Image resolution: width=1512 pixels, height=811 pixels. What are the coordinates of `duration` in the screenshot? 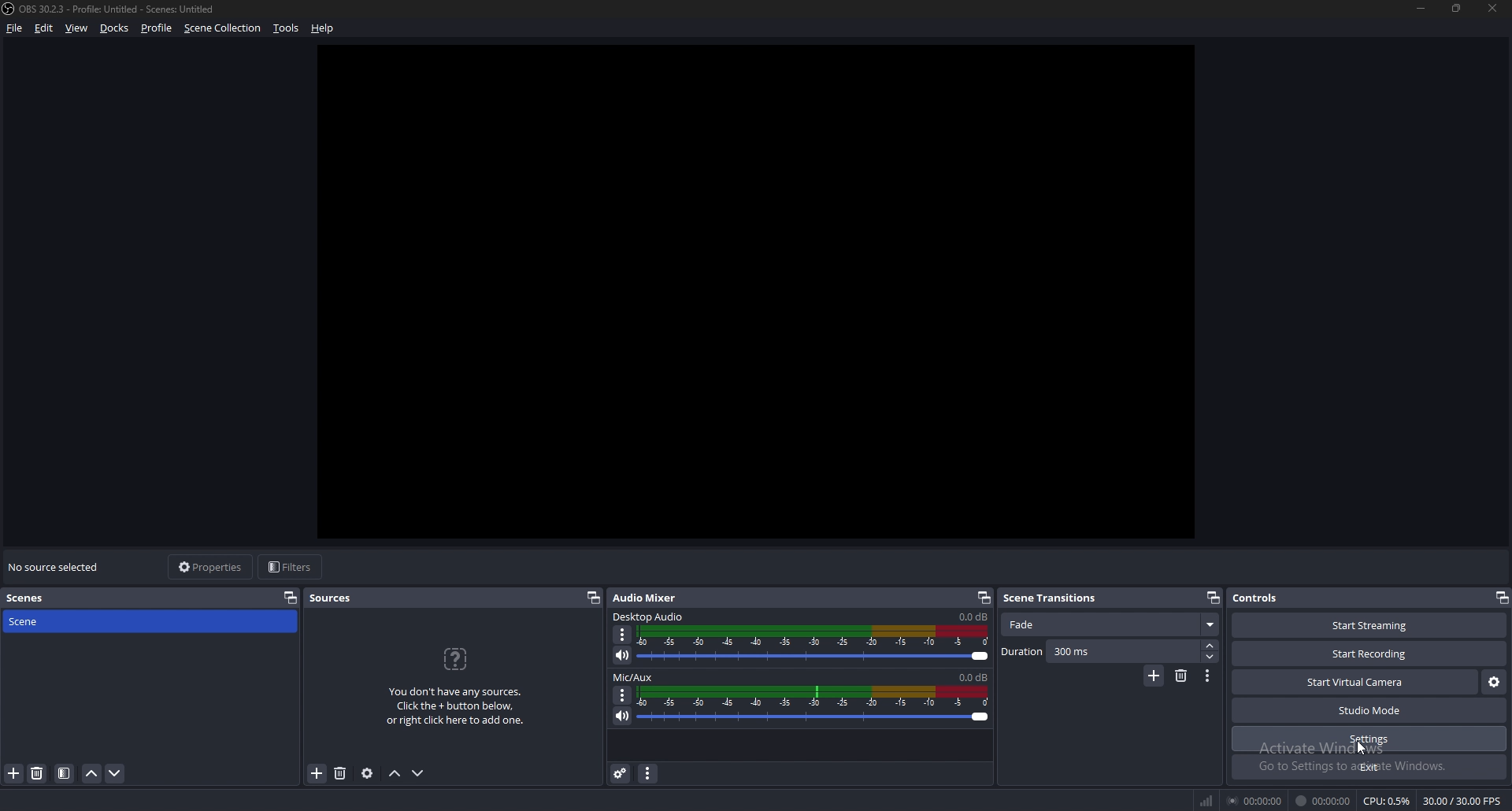 It's located at (1074, 653).